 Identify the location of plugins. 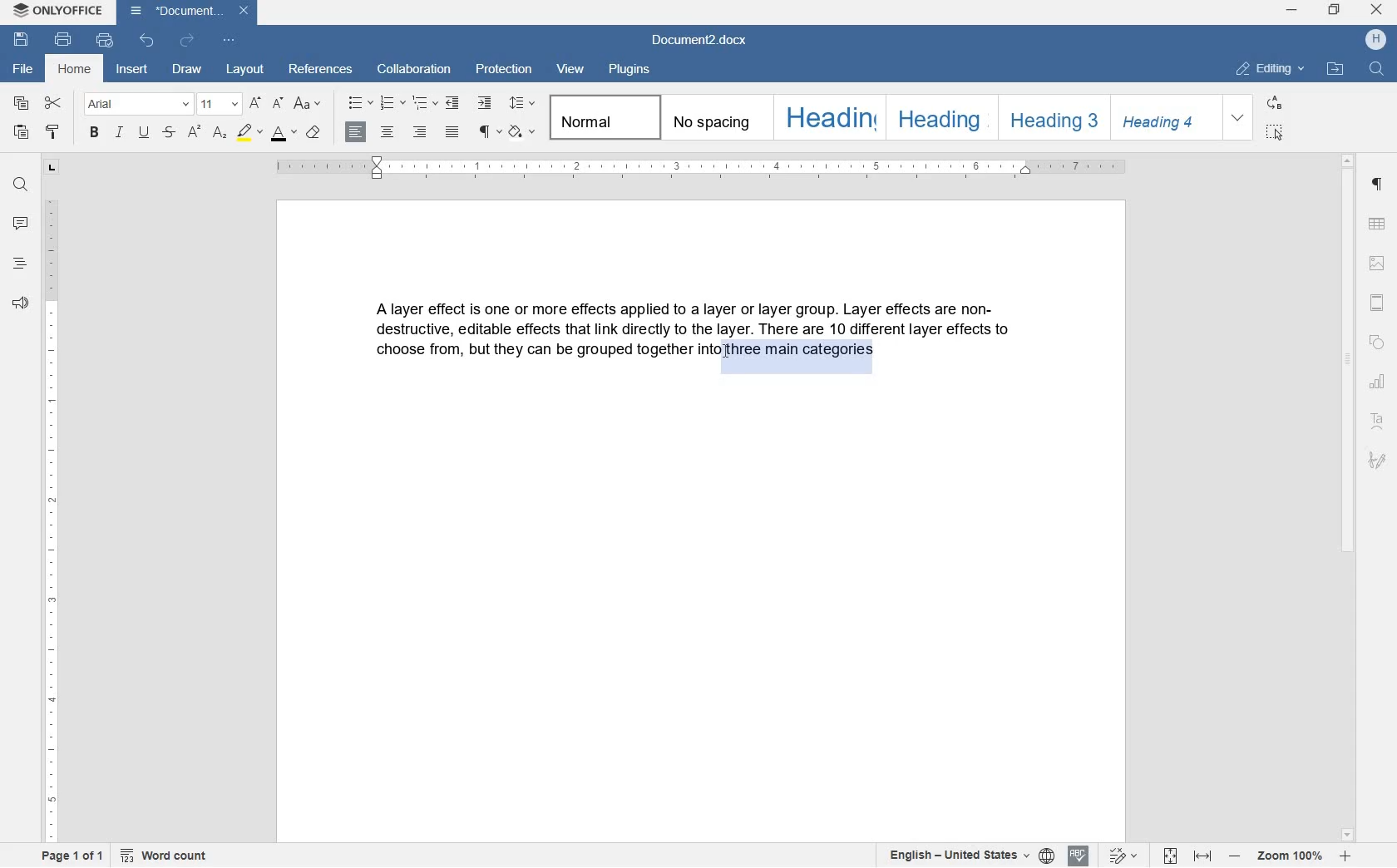
(629, 70).